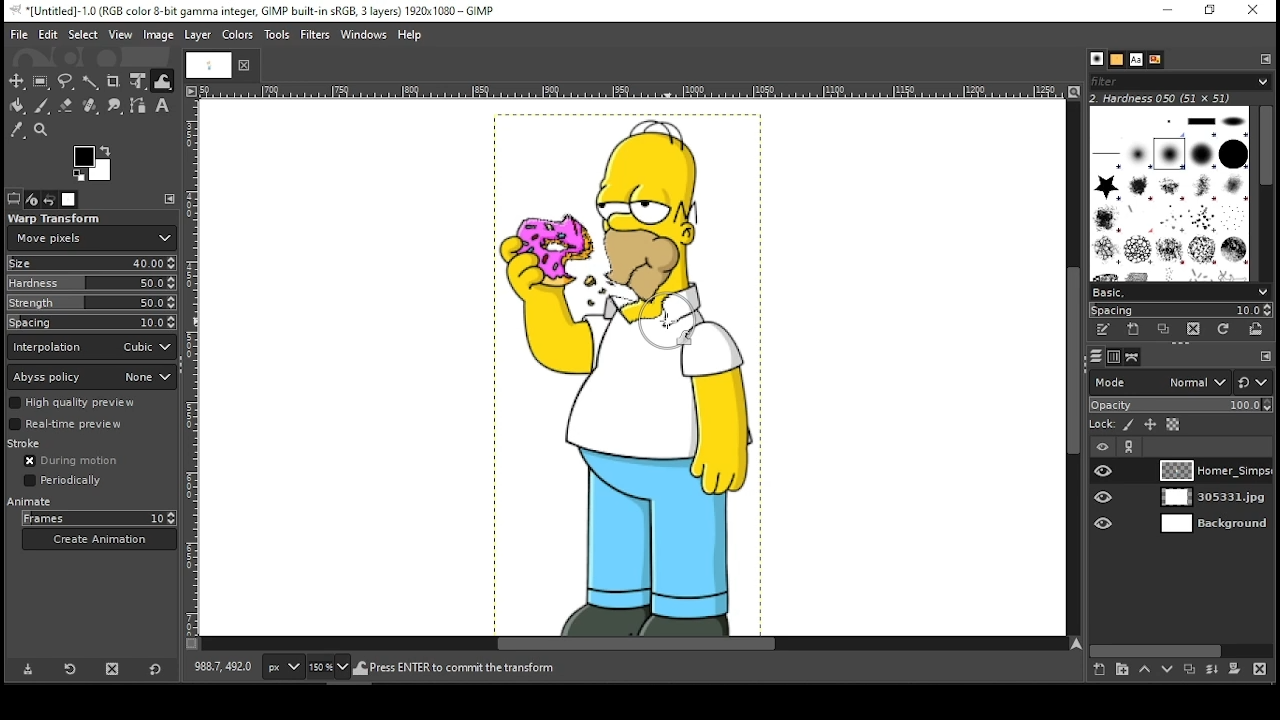  What do you see at coordinates (1177, 80) in the screenshot?
I see `filter` at bounding box center [1177, 80].